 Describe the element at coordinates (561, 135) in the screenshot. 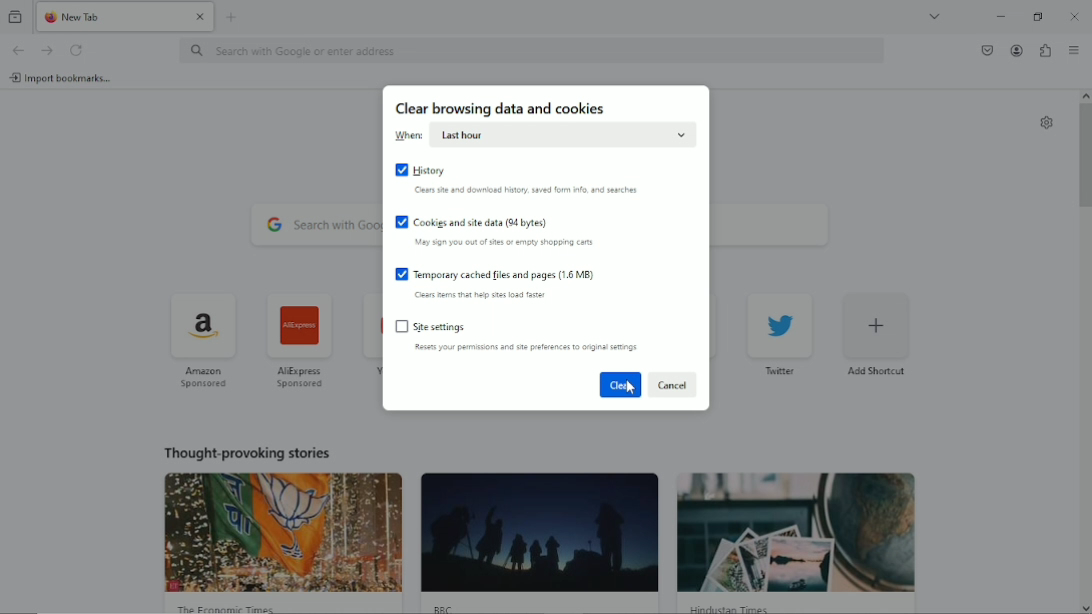

I see `Last hour` at that location.